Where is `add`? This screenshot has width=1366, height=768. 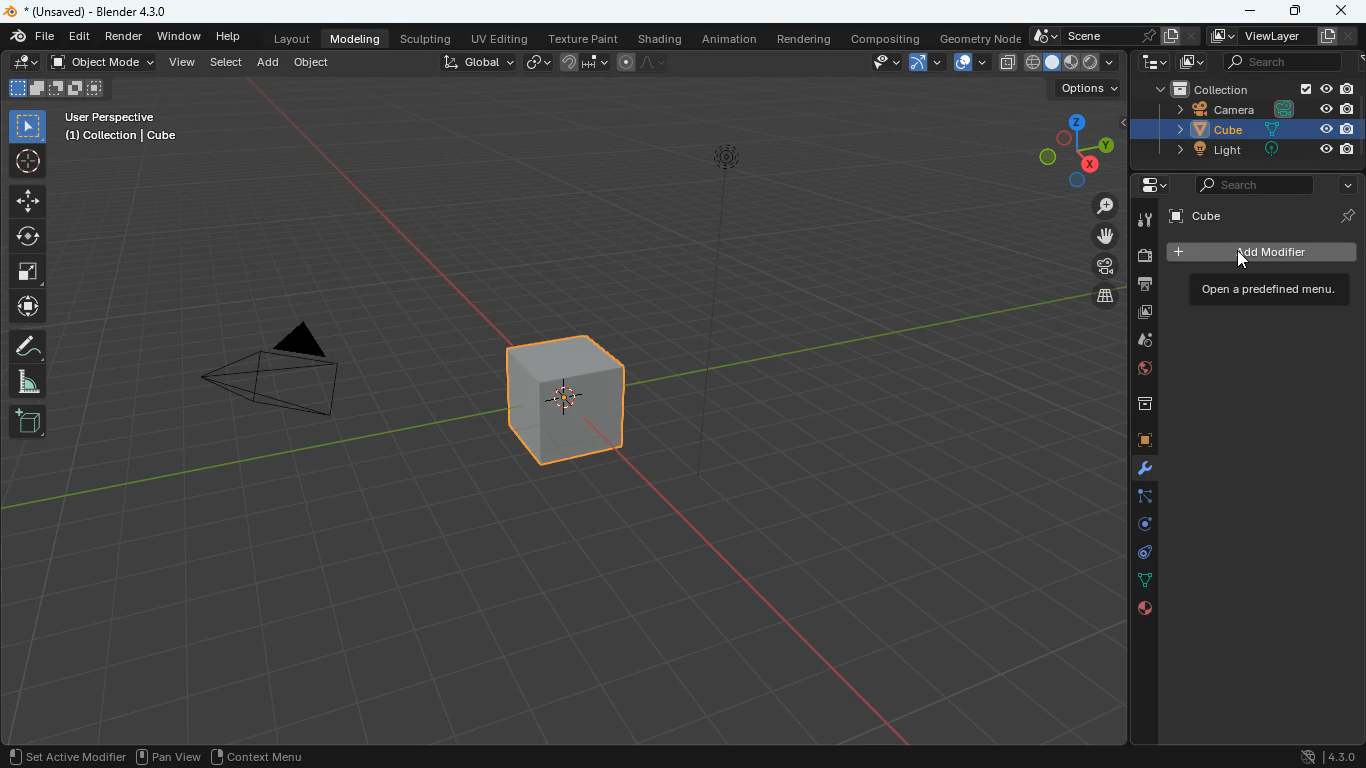
add is located at coordinates (269, 63).